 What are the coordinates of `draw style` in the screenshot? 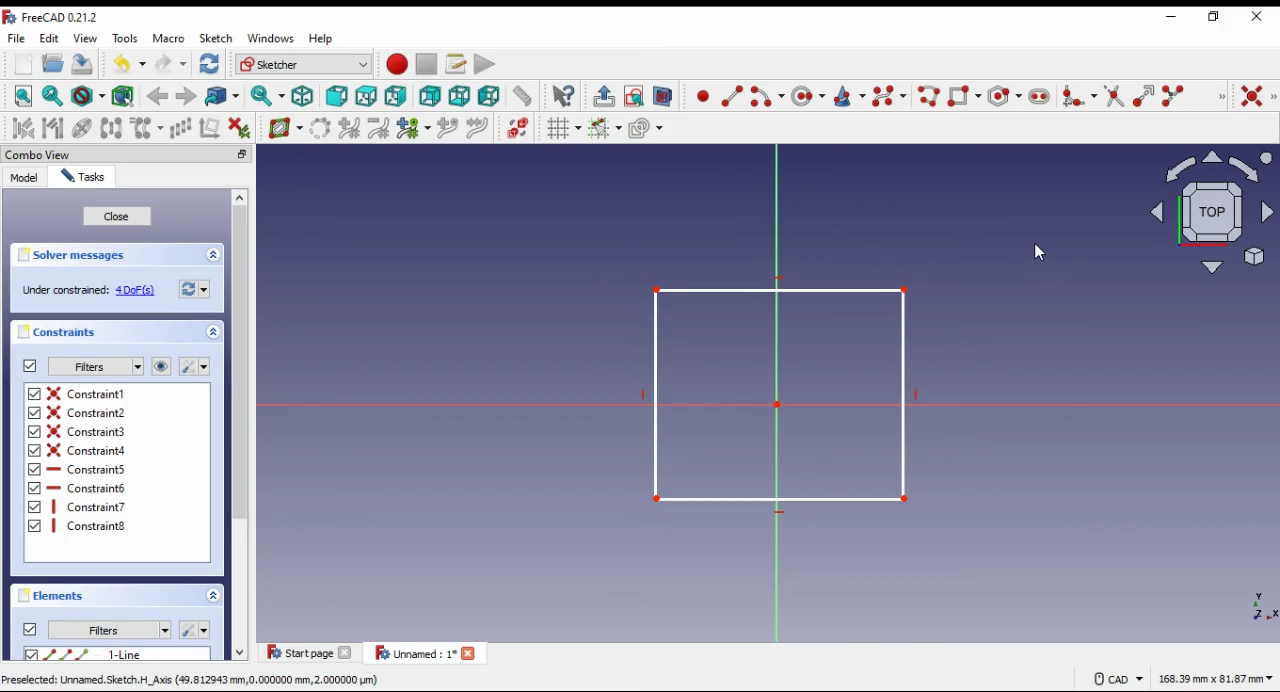 It's located at (89, 96).